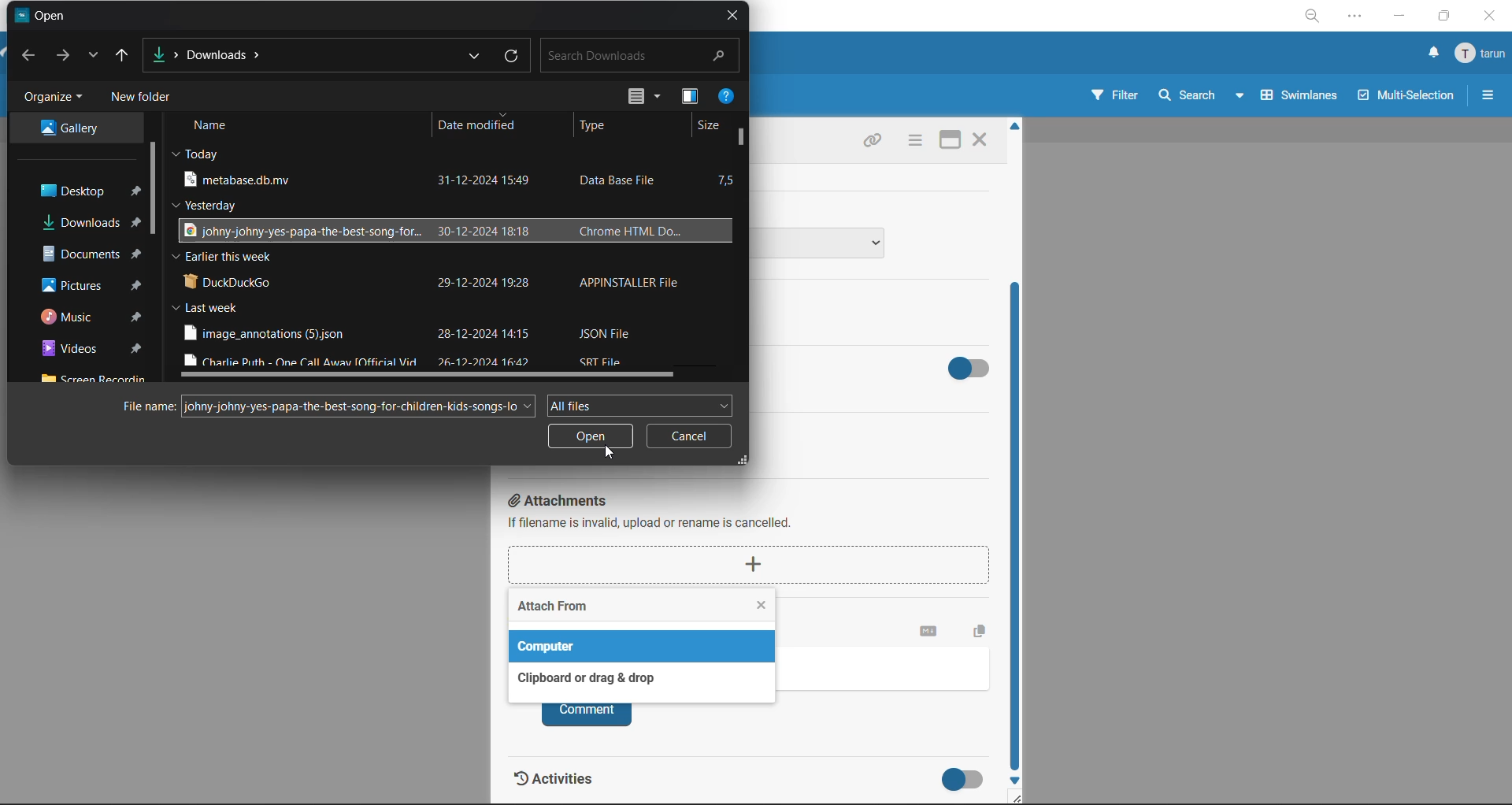  I want to click on close, so click(979, 142).